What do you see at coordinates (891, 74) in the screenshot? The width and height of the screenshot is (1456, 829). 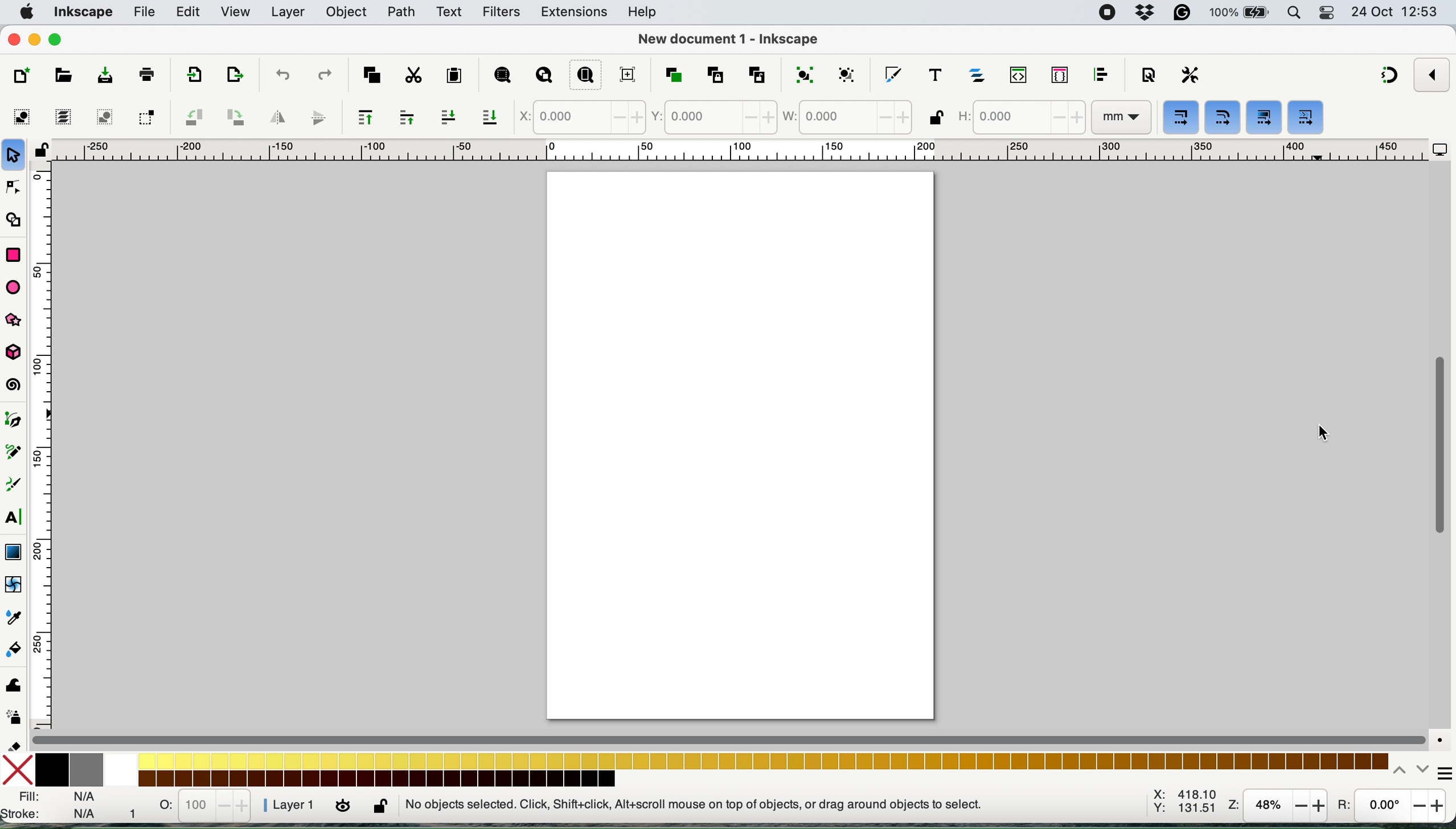 I see `fill and stroke` at bounding box center [891, 74].